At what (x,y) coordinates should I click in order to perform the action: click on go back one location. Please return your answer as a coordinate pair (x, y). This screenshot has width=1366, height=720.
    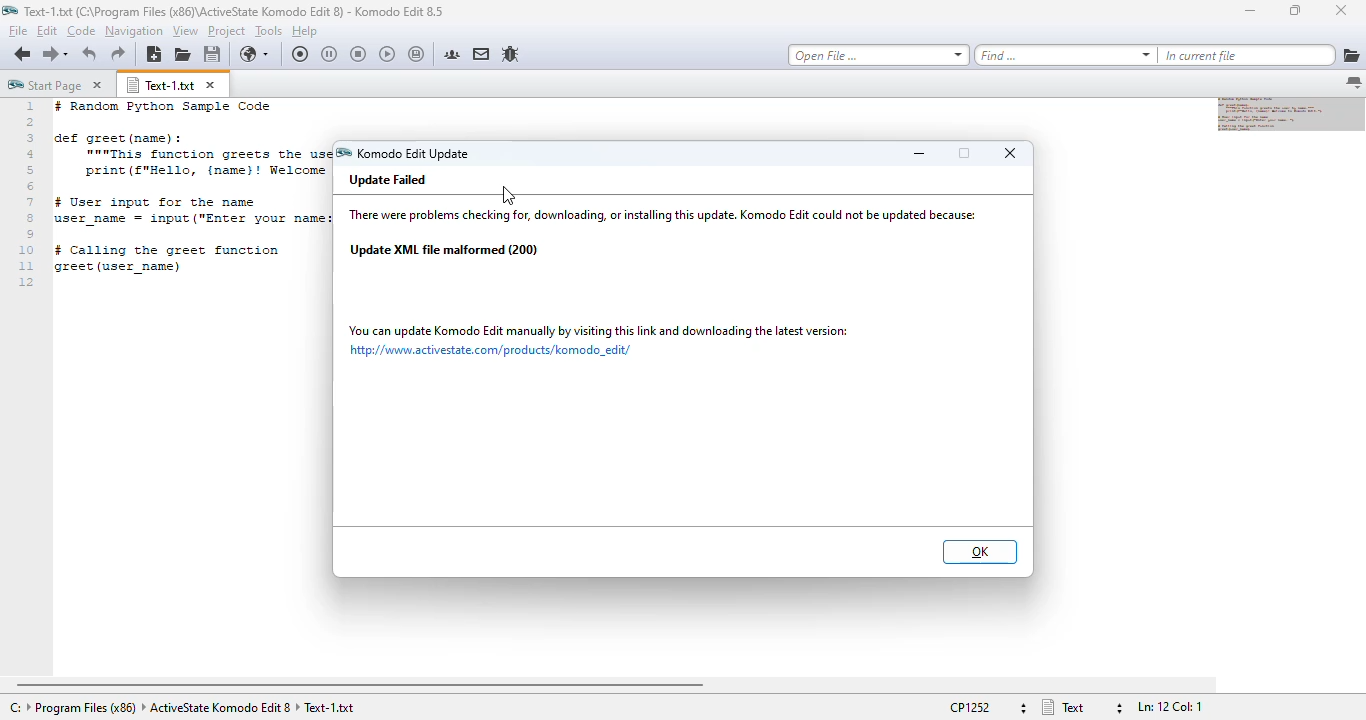
    Looking at the image, I should click on (23, 53).